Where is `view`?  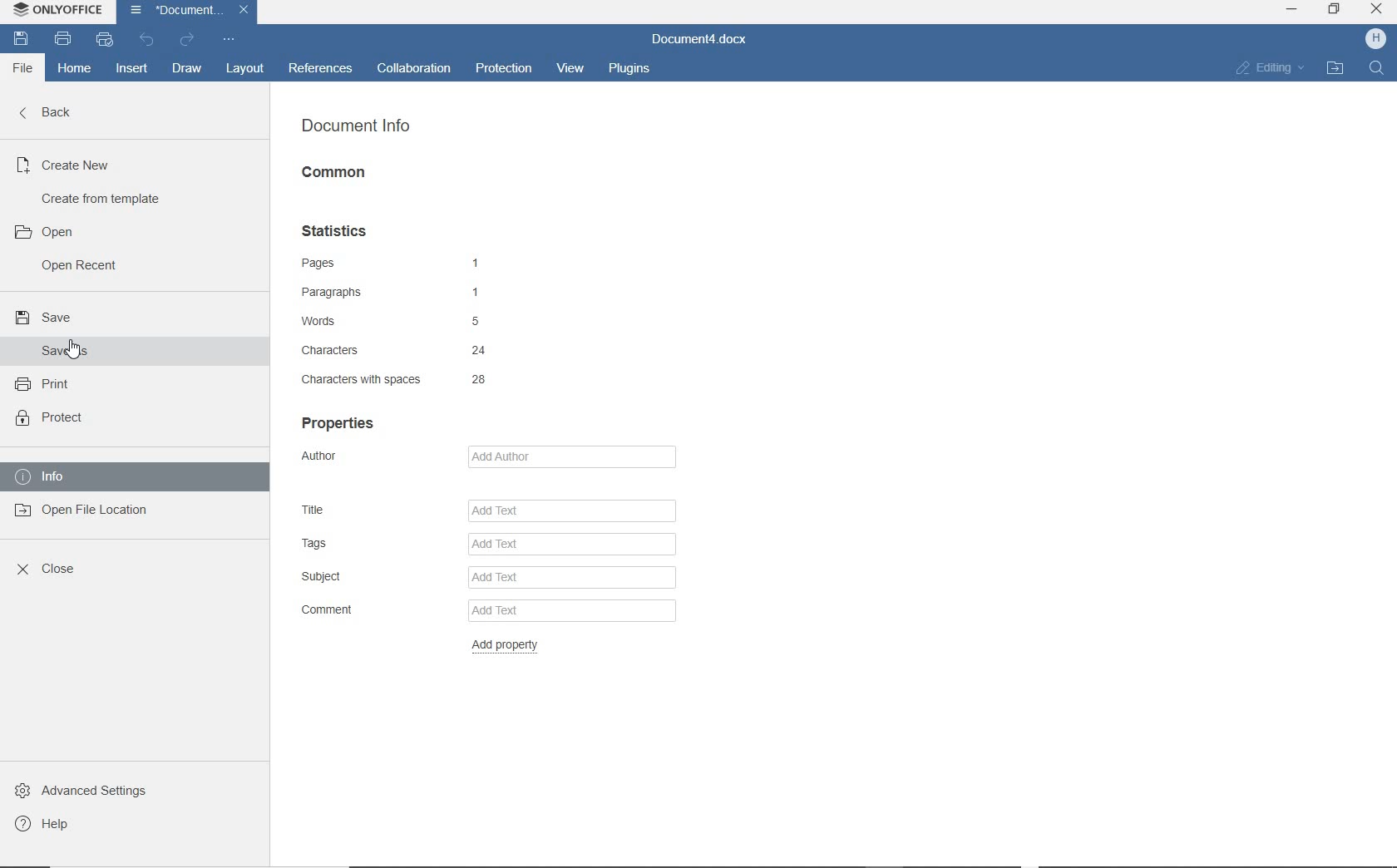
view is located at coordinates (570, 67).